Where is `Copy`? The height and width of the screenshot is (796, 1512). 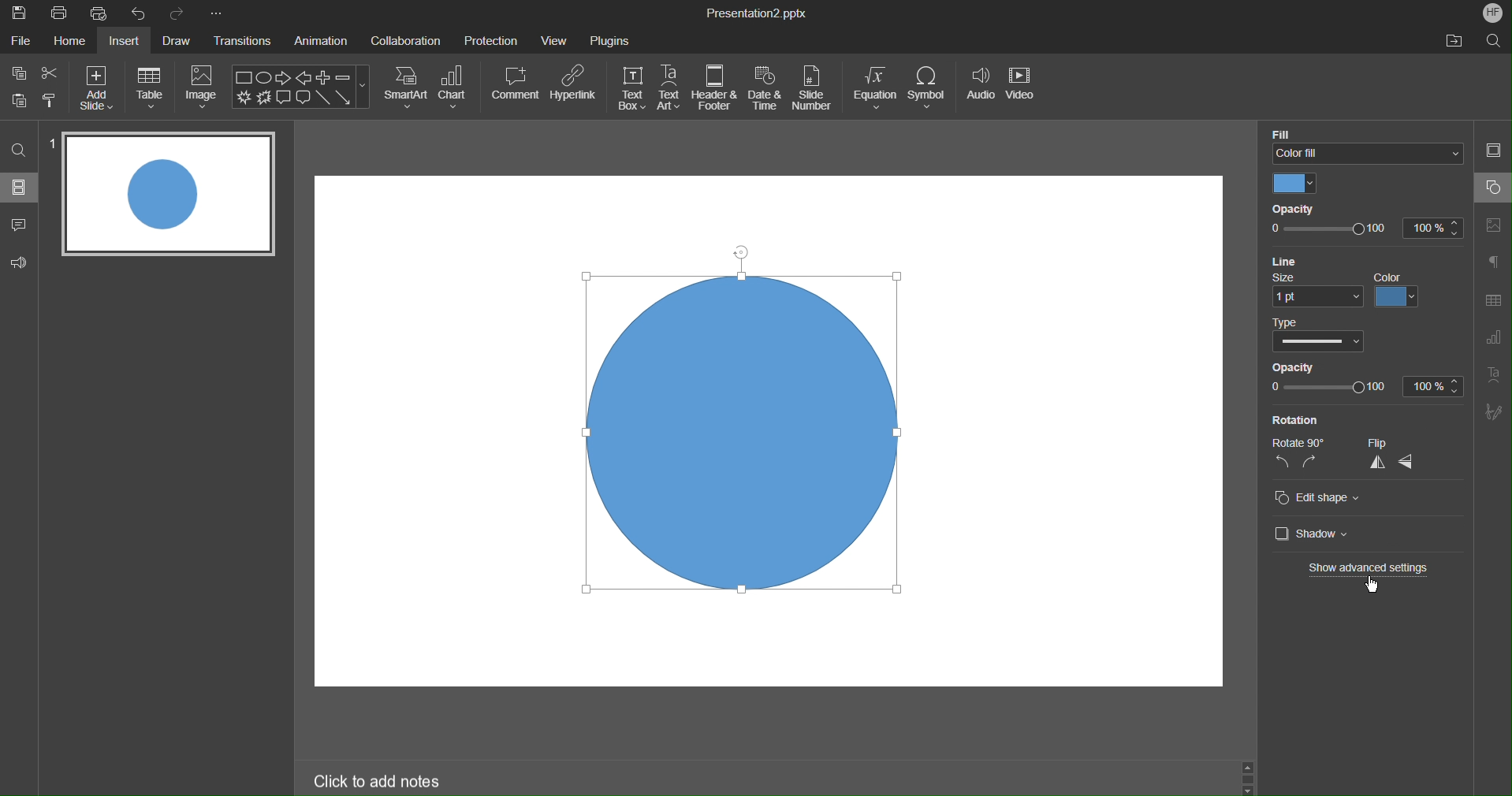
Copy is located at coordinates (17, 73).